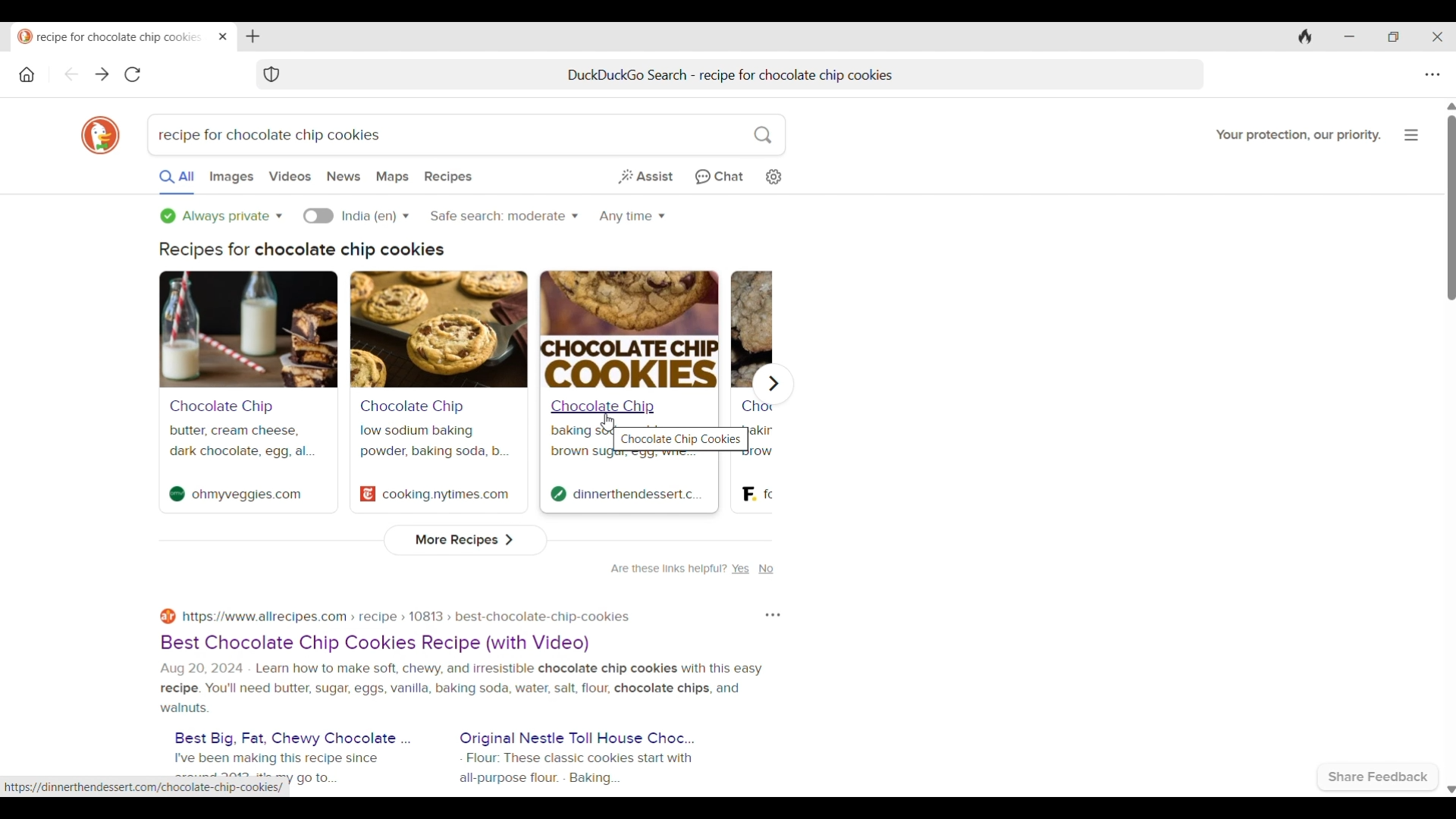  What do you see at coordinates (641, 494) in the screenshot?
I see `dinnerthendessert.c.` at bounding box center [641, 494].